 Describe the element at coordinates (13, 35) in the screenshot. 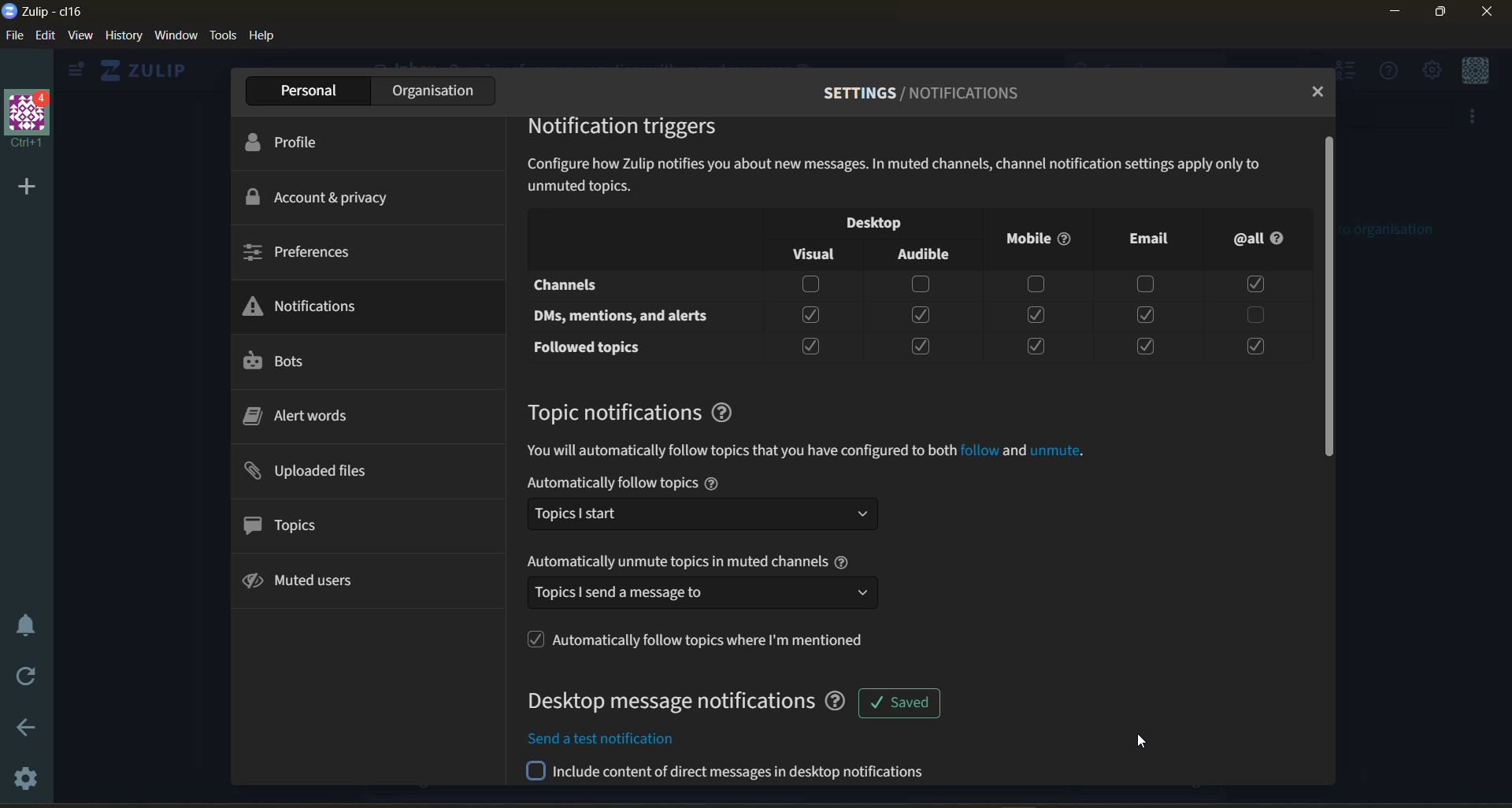

I see `file` at that location.